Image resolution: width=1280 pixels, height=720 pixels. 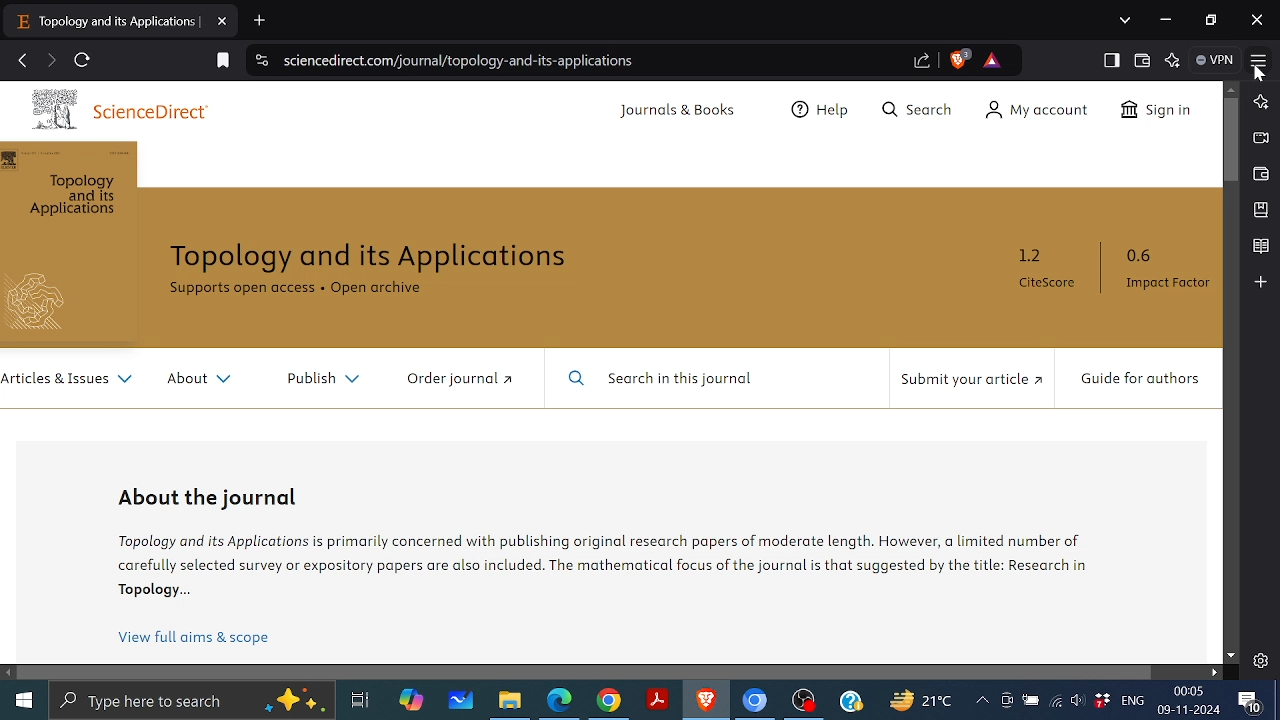 What do you see at coordinates (705, 702) in the screenshot?
I see `Brave Browser` at bounding box center [705, 702].